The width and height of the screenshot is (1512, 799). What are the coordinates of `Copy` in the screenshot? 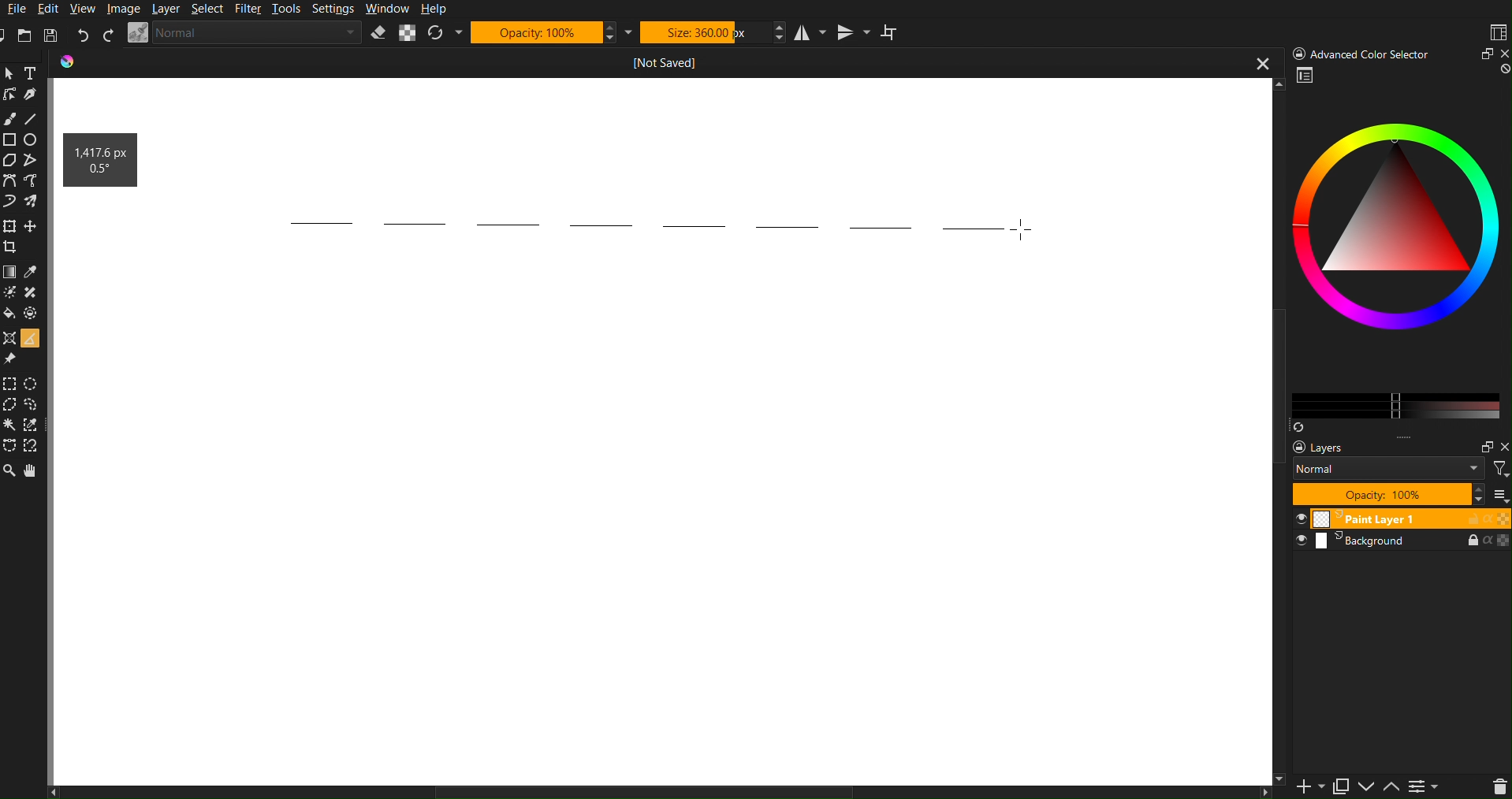 It's located at (1346, 786).